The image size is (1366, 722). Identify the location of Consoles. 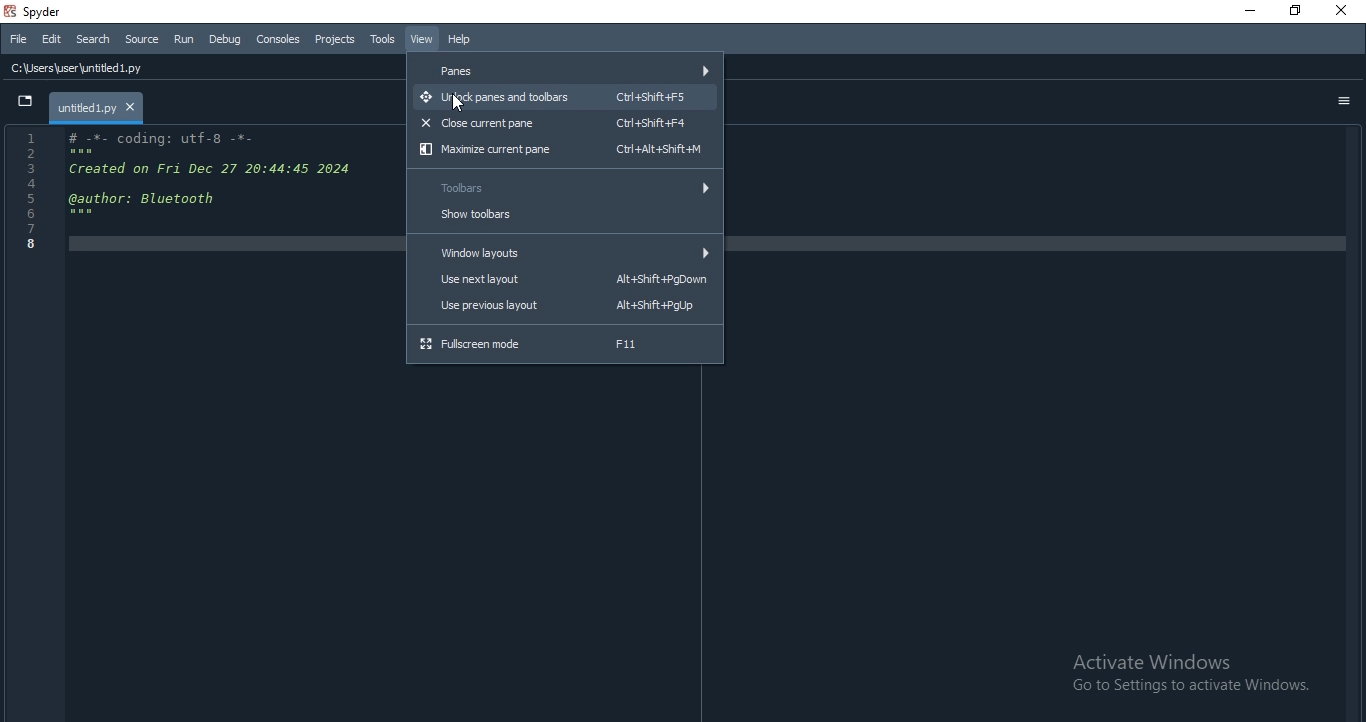
(277, 37).